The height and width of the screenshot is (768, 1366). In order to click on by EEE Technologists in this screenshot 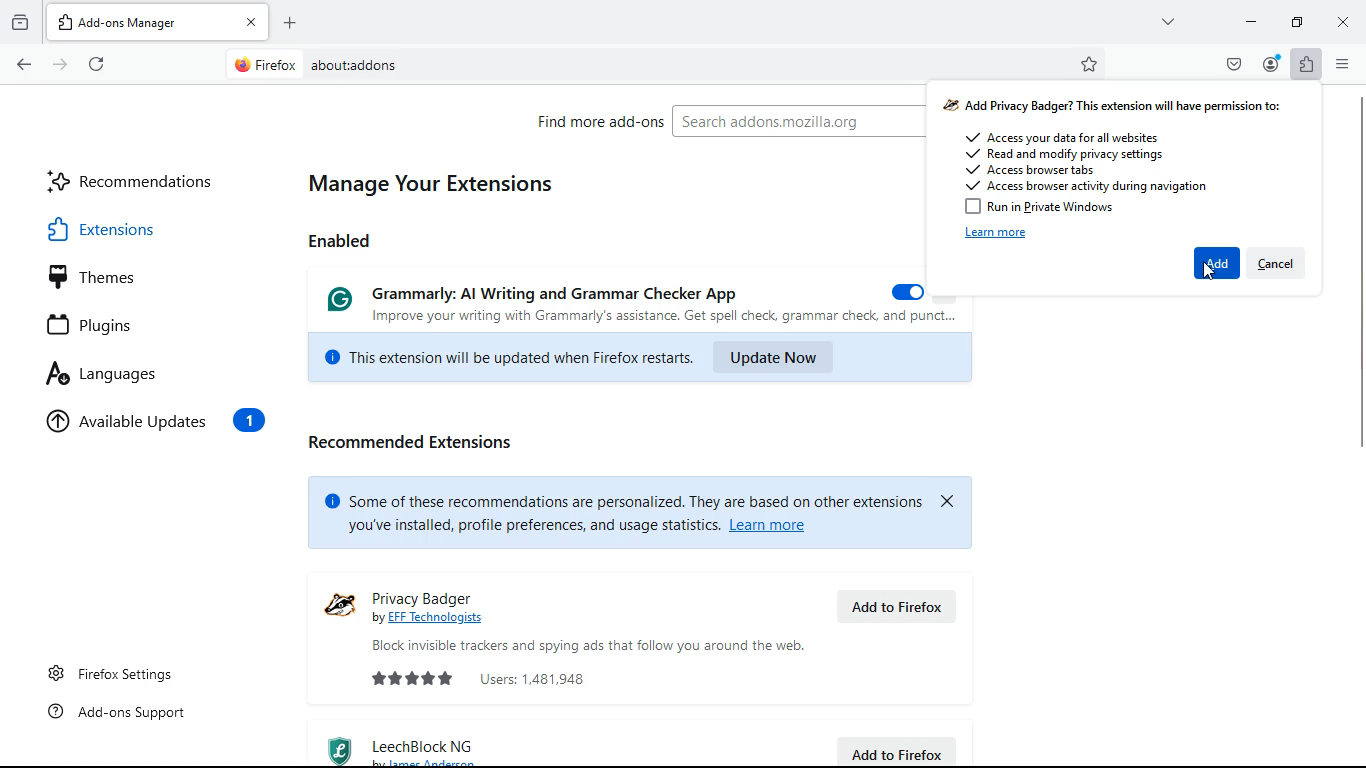, I will do `click(424, 619)`.